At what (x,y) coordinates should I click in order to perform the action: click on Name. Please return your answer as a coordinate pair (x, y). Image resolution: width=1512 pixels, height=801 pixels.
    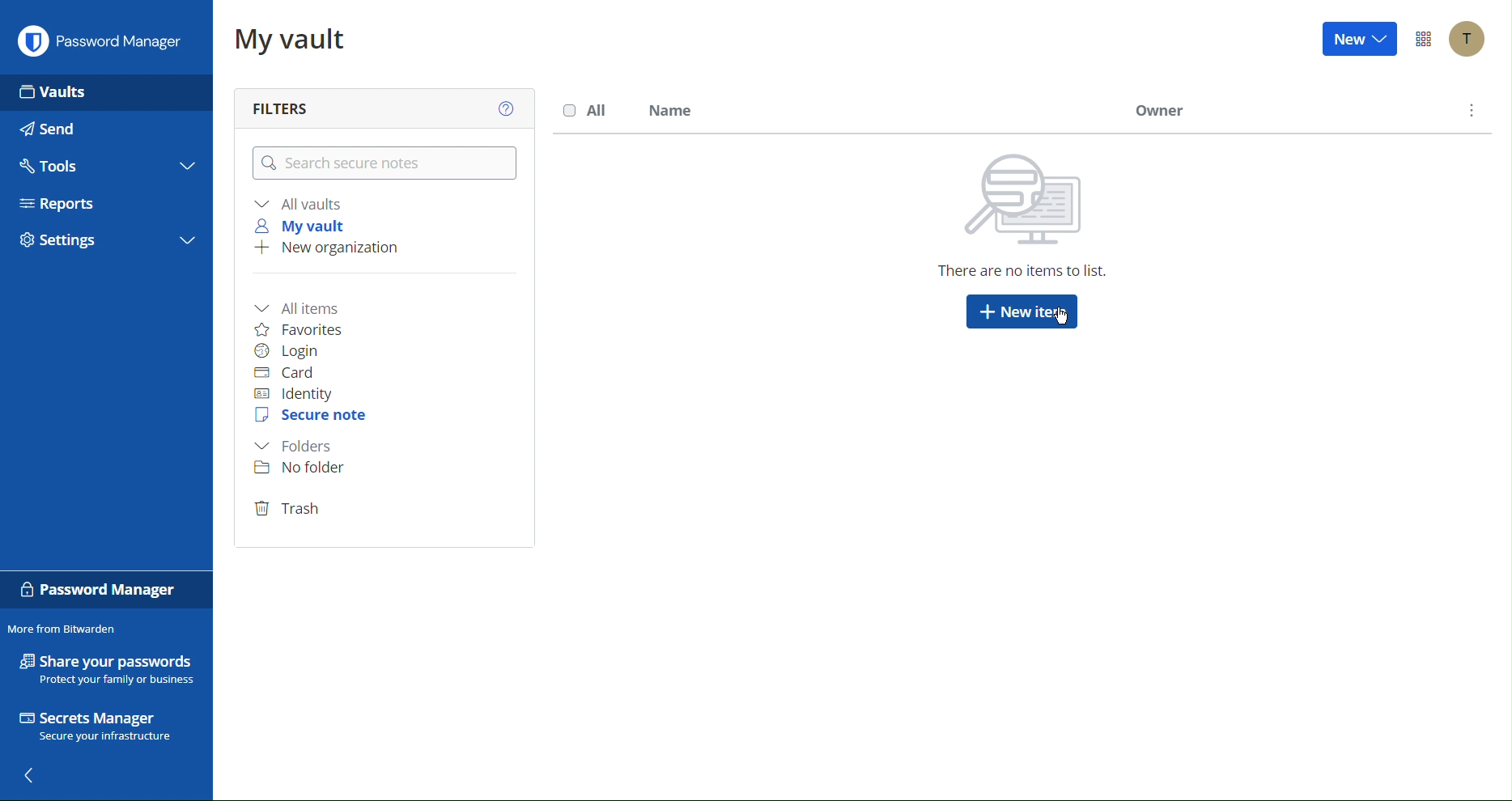
    Looking at the image, I should click on (679, 111).